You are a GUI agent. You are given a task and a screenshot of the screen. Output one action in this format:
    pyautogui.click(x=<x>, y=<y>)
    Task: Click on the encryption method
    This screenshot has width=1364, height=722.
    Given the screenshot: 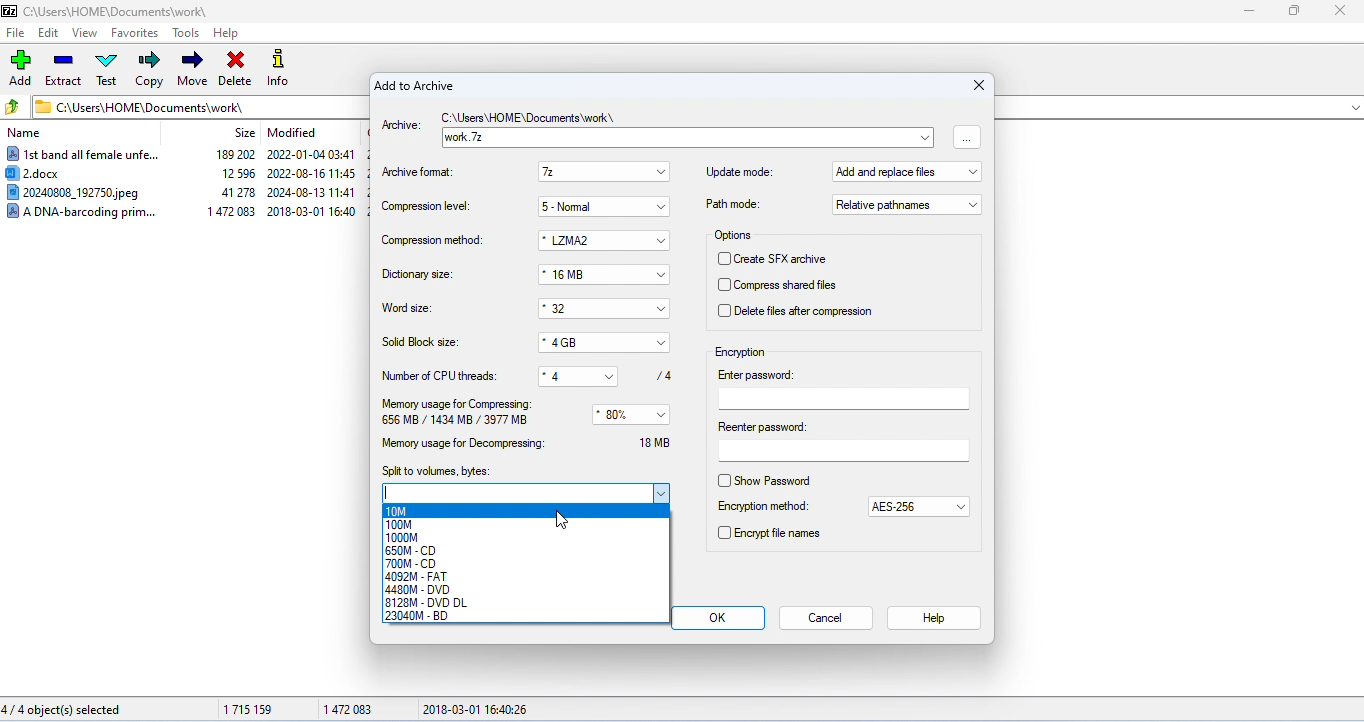 What is the action you would take?
    pyautogui.click(x=763, y=507)
    